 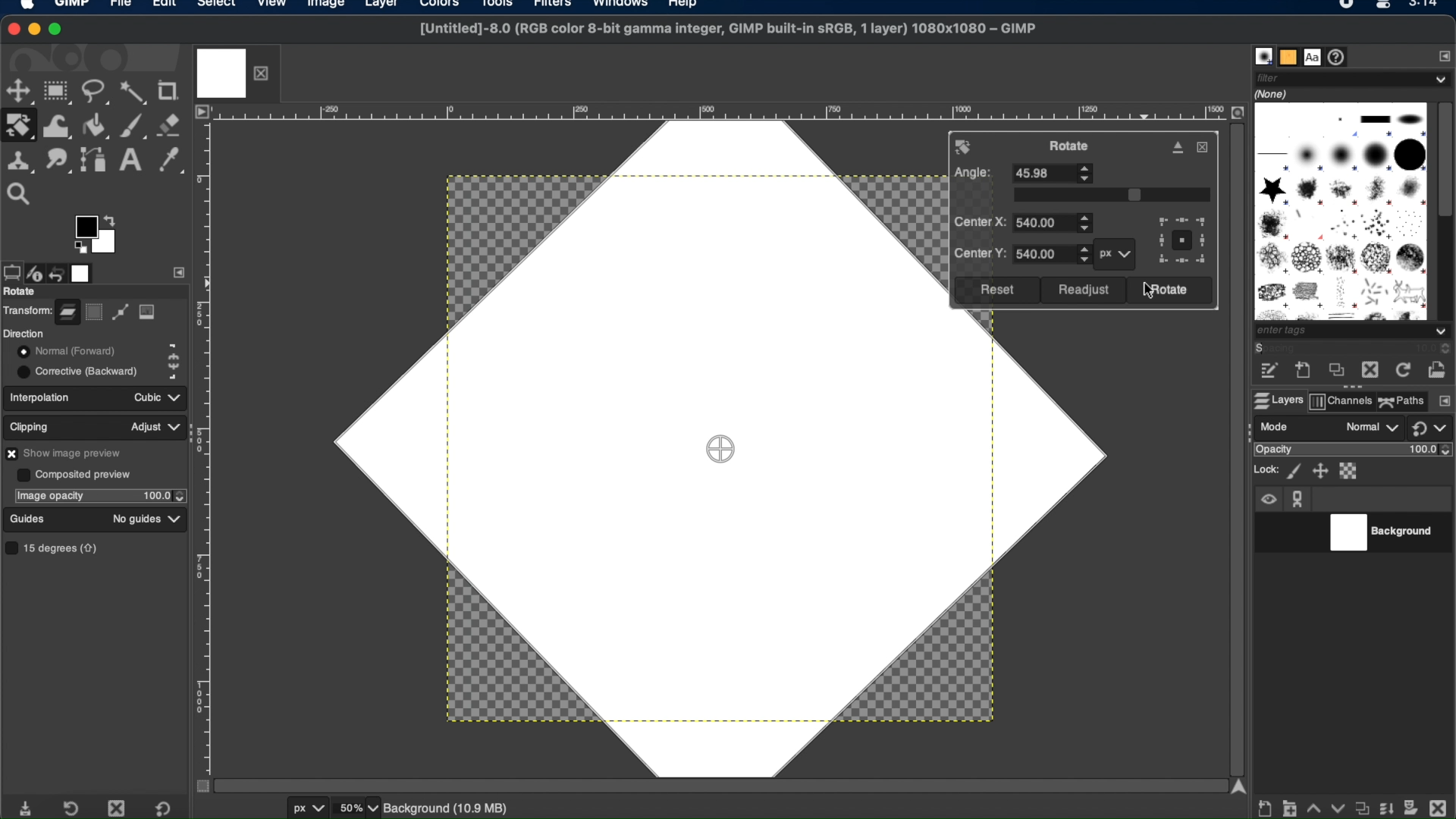 What do you see at coordinates (1304, 372) in the screenshot?
I see `create a new brush` at bounding box center [1304, 372].